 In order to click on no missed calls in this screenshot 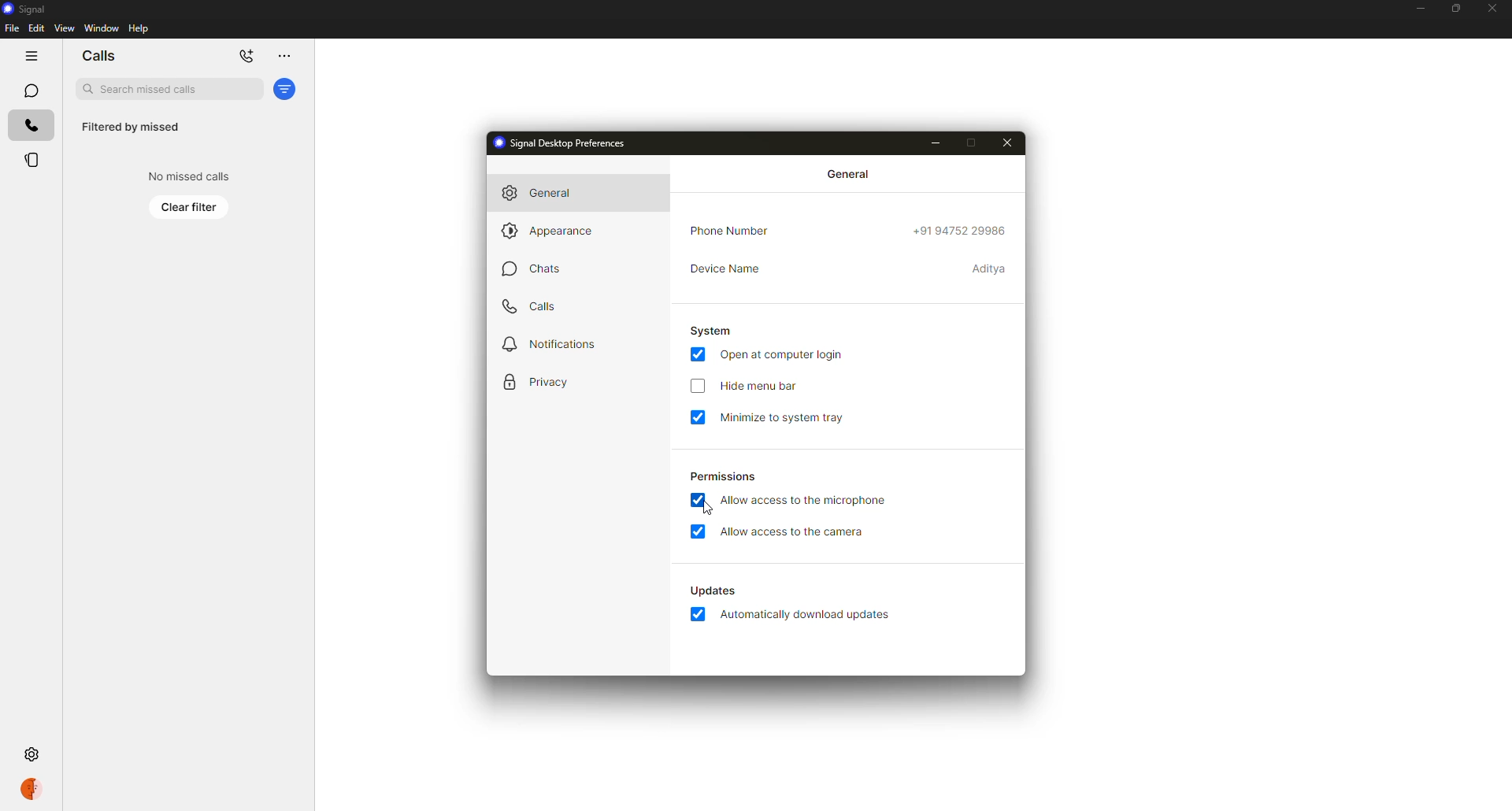, I will do `click(191, 176)`.